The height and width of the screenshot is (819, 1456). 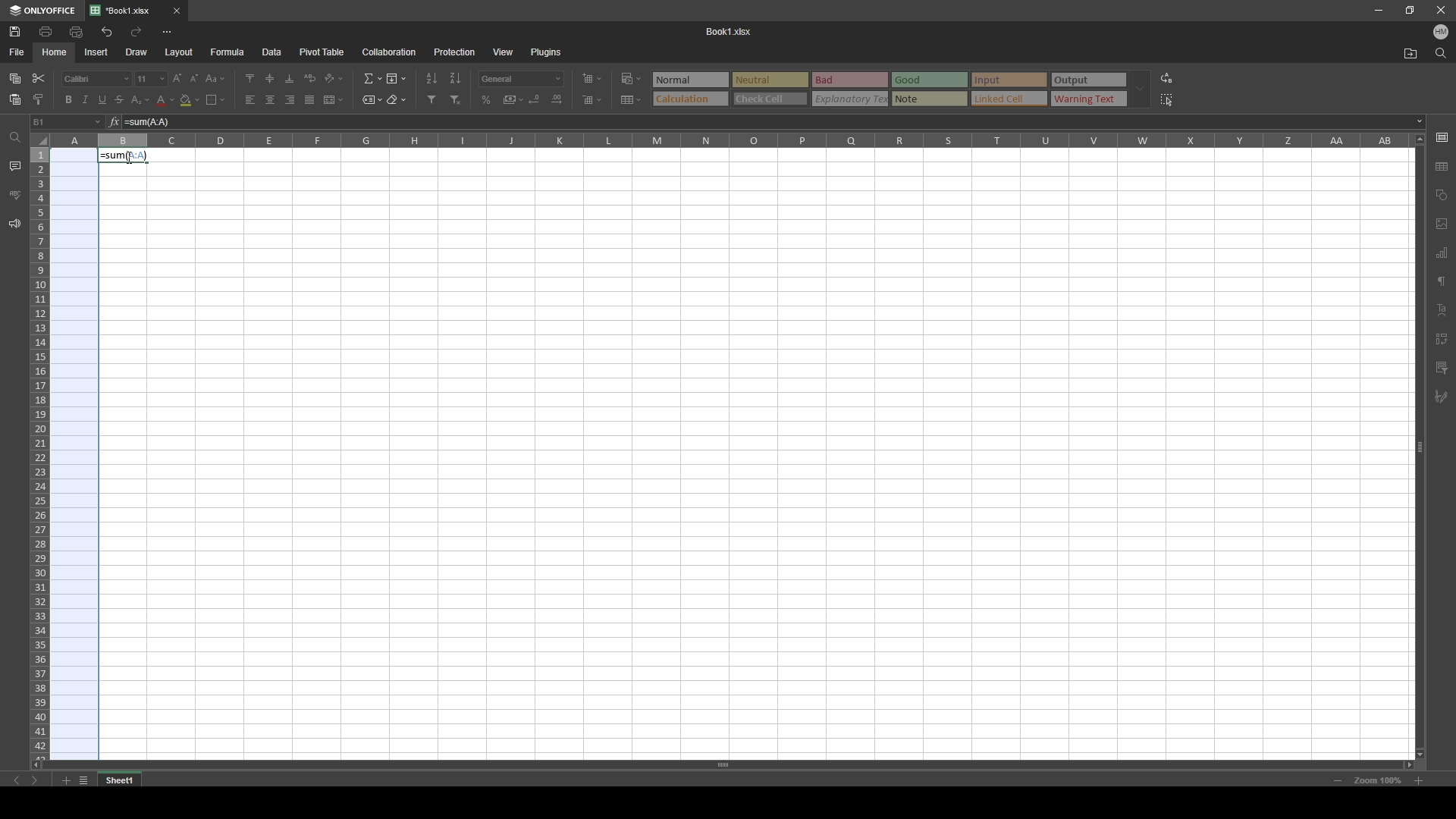 What do you see at coordinates (176, 79) in the screenshot?
I see `increment font size` at bounding box center [176, 79].